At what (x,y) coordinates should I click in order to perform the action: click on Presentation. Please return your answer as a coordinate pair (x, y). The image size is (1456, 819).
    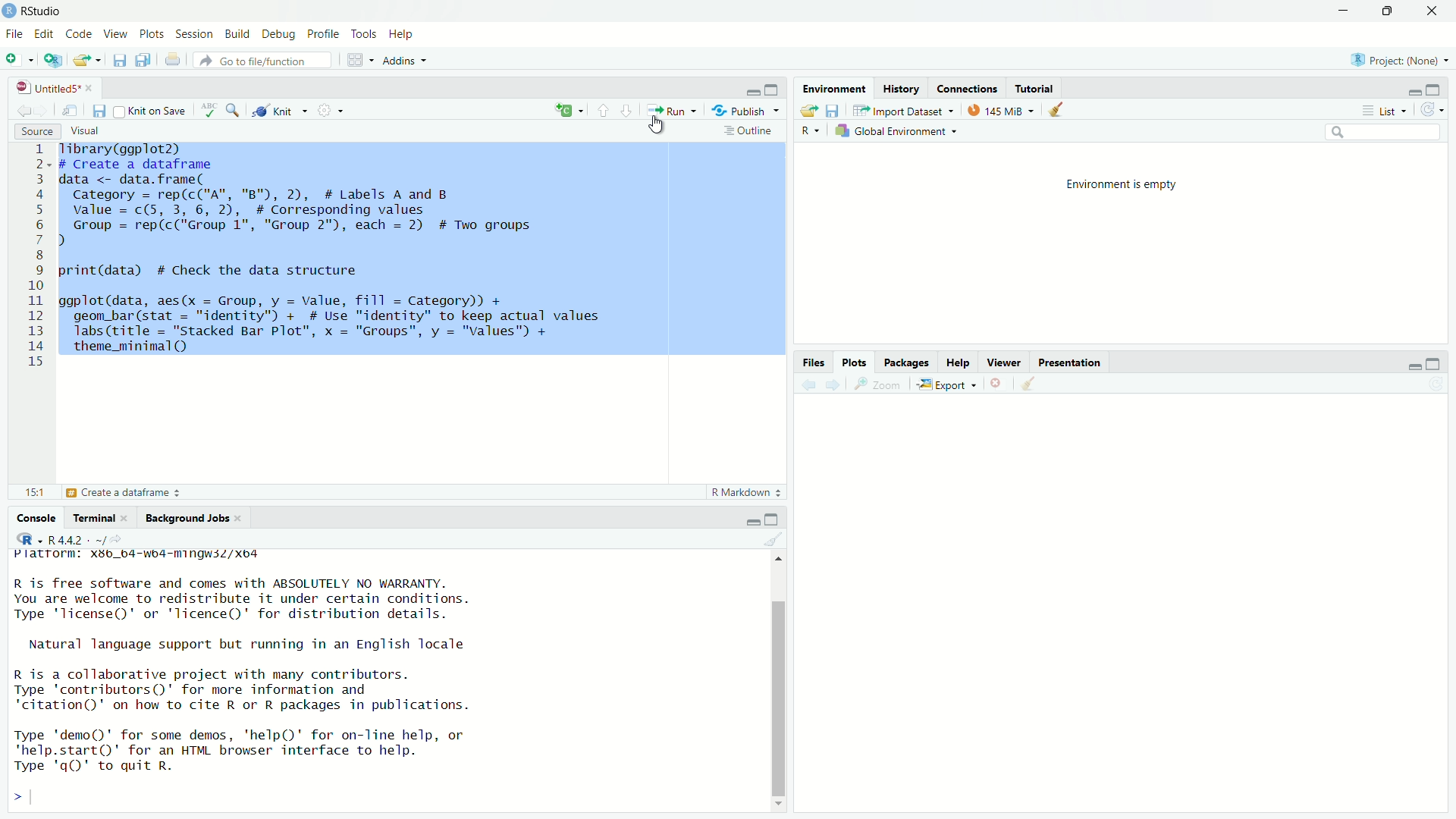
    Looking at the image, I should click on (1070, 362).